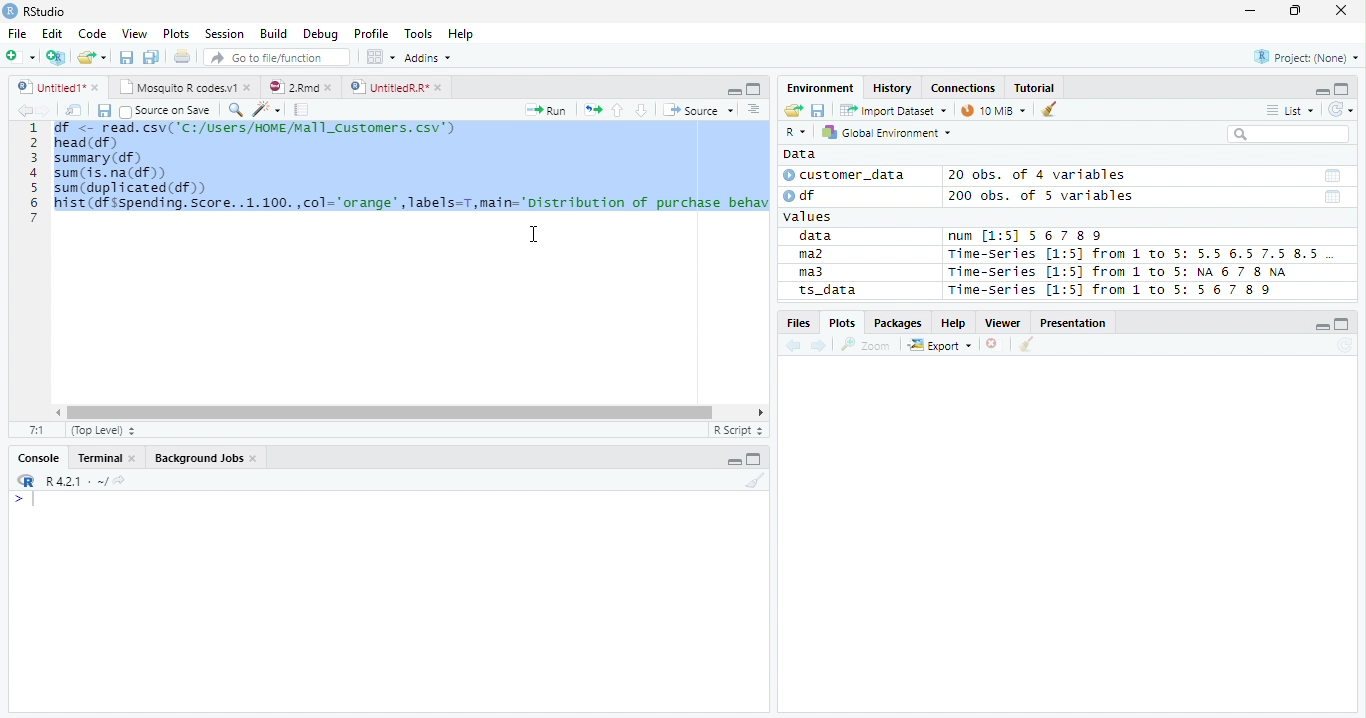 The height and width of the screenshot is (718, 1366). I want to click on Minimize, so click(1323, 328).